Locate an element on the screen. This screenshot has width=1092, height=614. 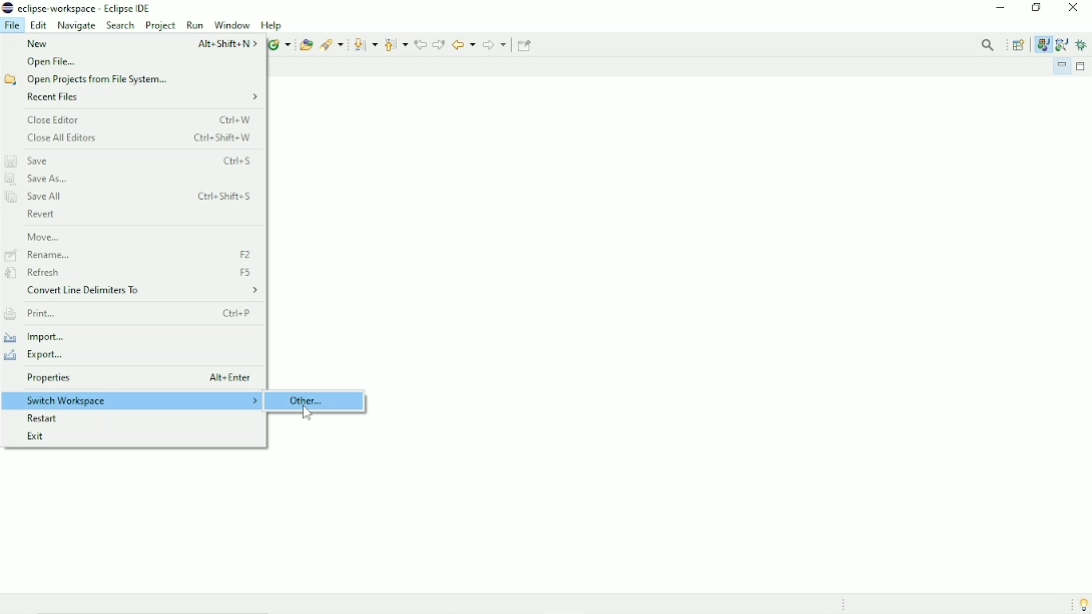
Cursor is located at coordinates (306, 413).